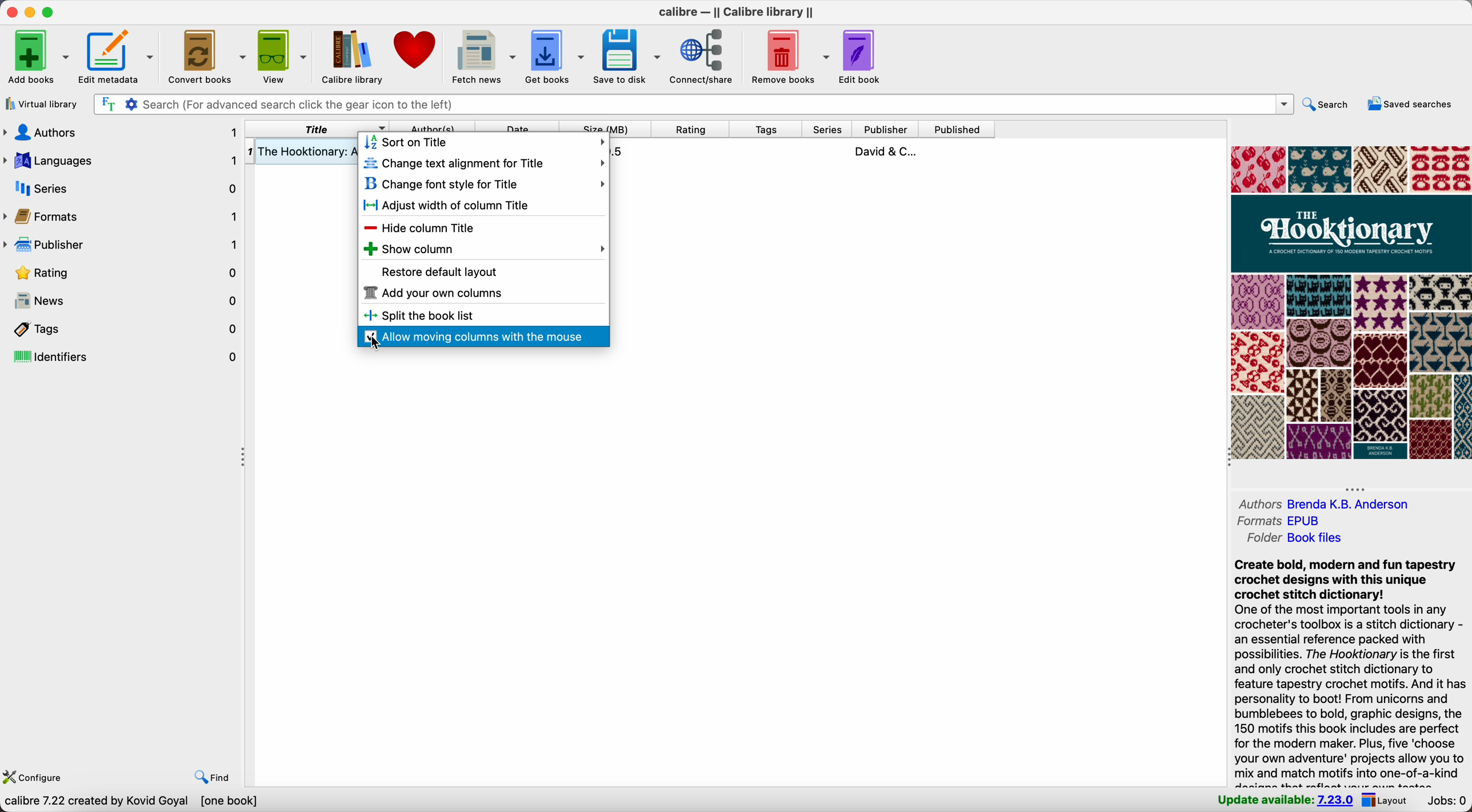  What do you see at coordinates (123, 273) in the screenshot?
I see `rating` at bounding box center [123, 273].